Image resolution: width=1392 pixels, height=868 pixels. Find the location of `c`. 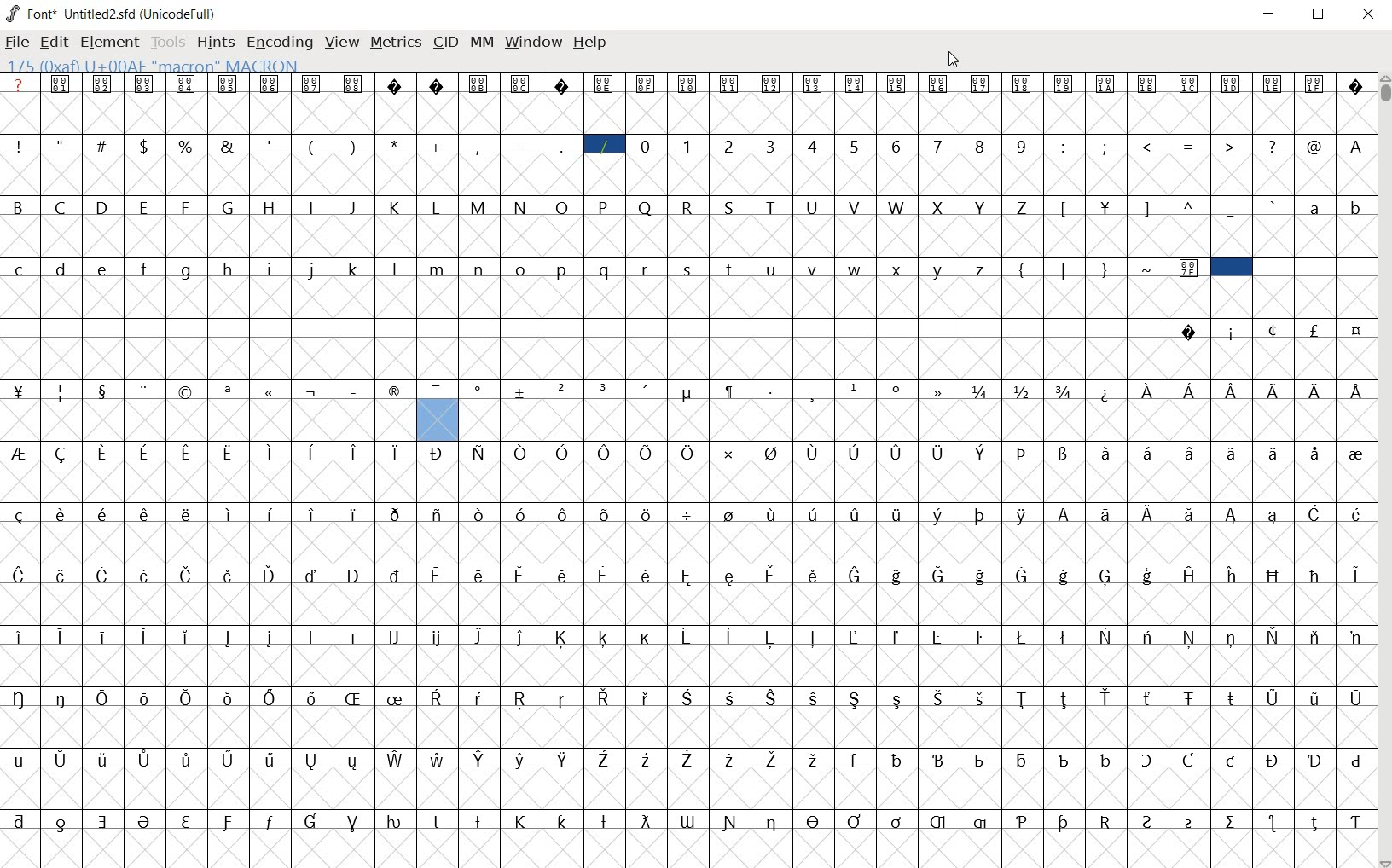

c is located at coordinates (20, 267).